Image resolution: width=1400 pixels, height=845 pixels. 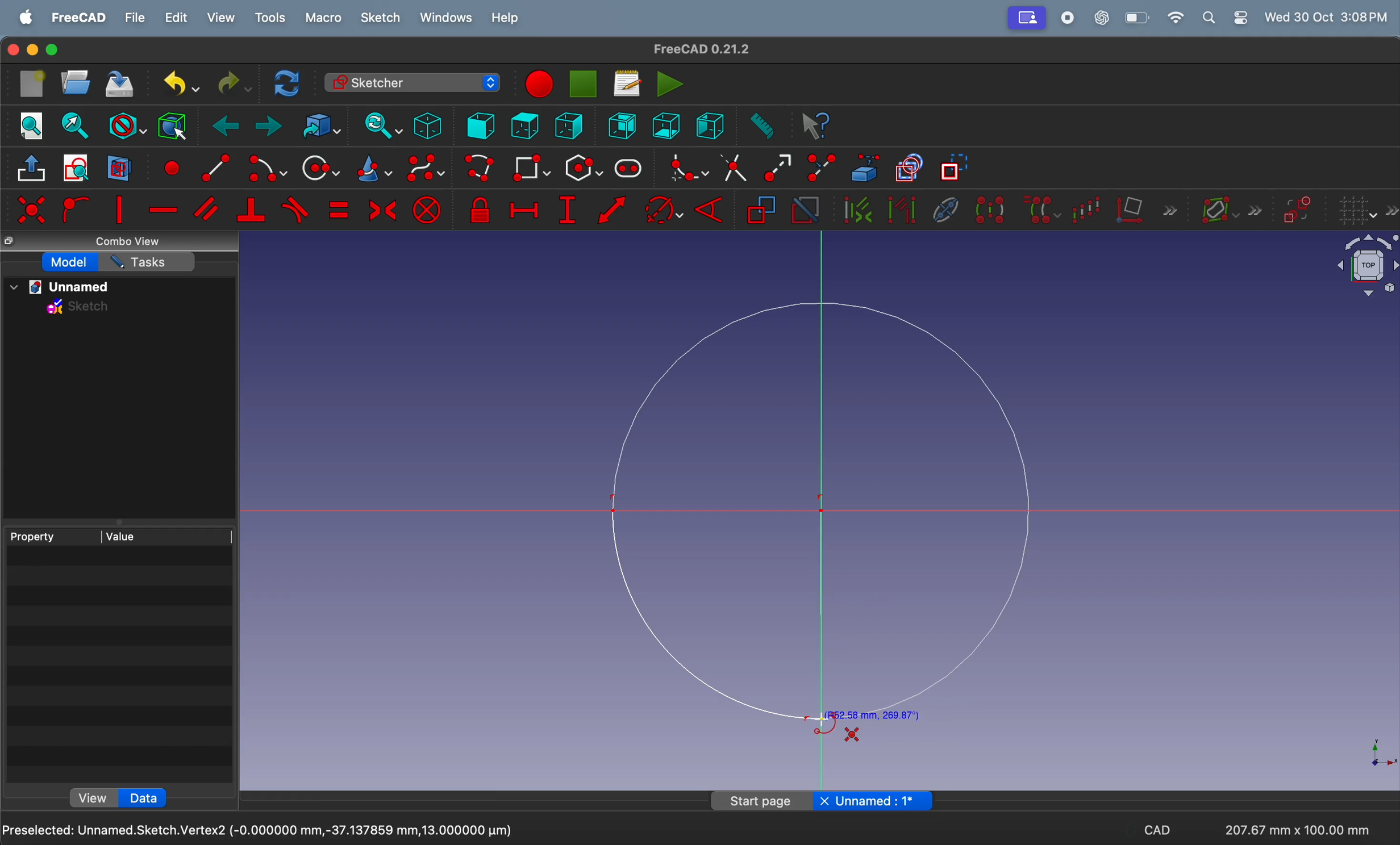 What do you see at coordinates (53, 50) in the screenshot?
I see `Enter full screen` at bounding box center [53, 50].